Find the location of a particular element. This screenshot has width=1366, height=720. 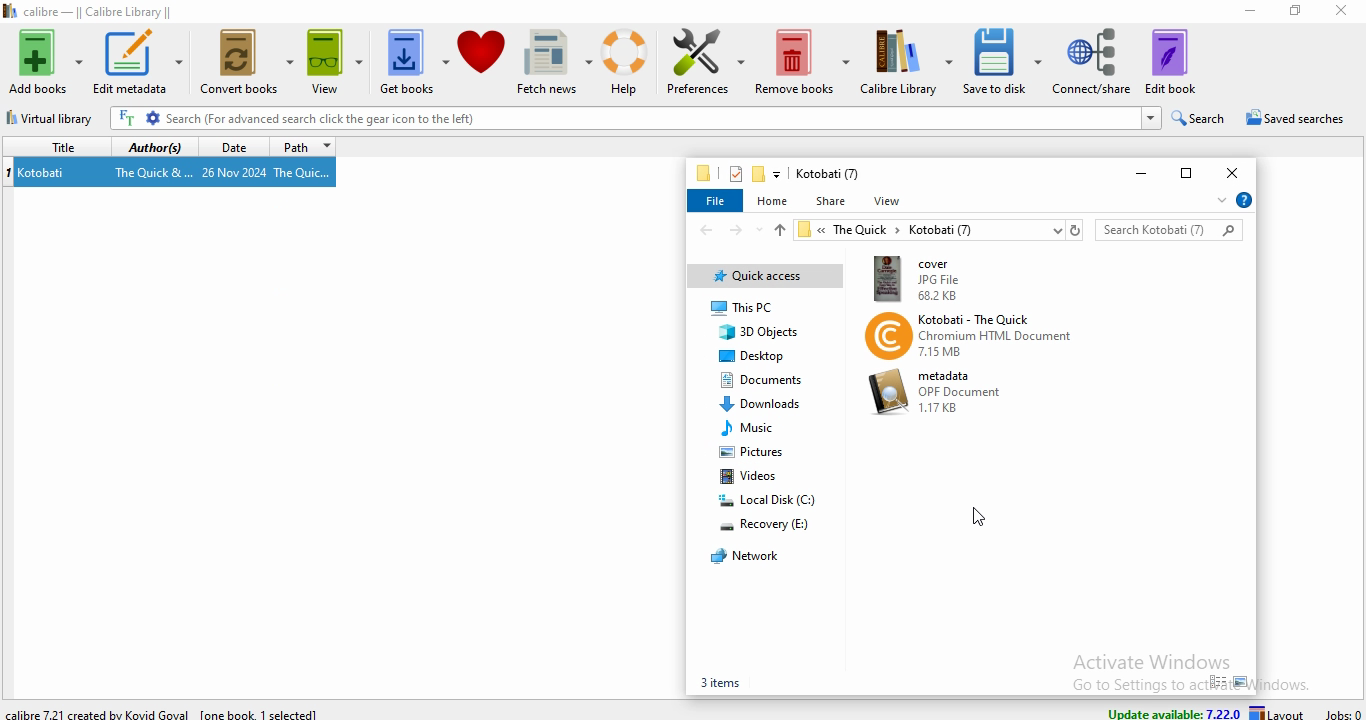

close is located at coordinates (1235, 170).